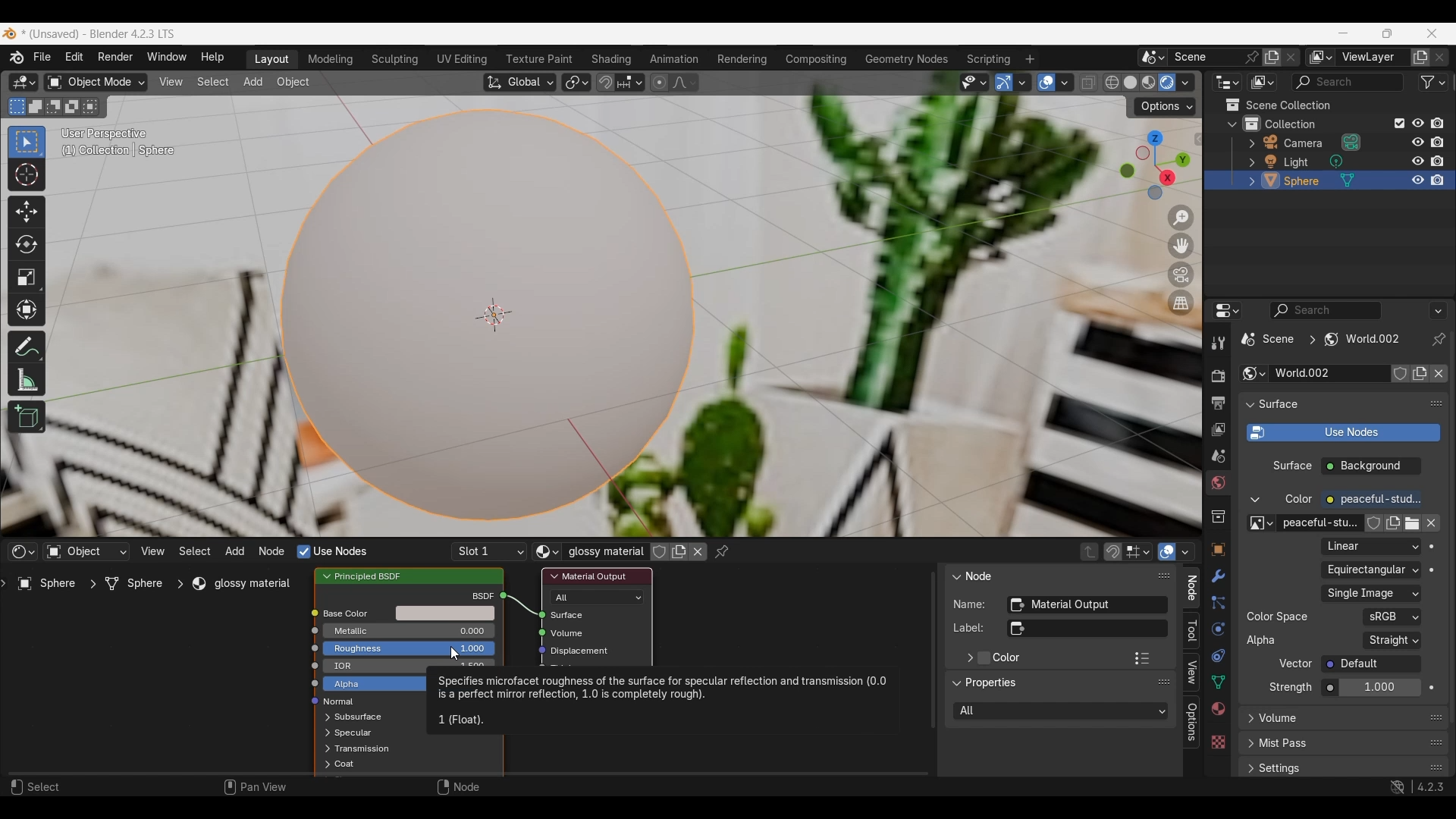 The height and width of the screenshot is (819, 1456). Describe the element at coordinates (1322, 339) in the screenshot. I see `Current scene location` at that location.